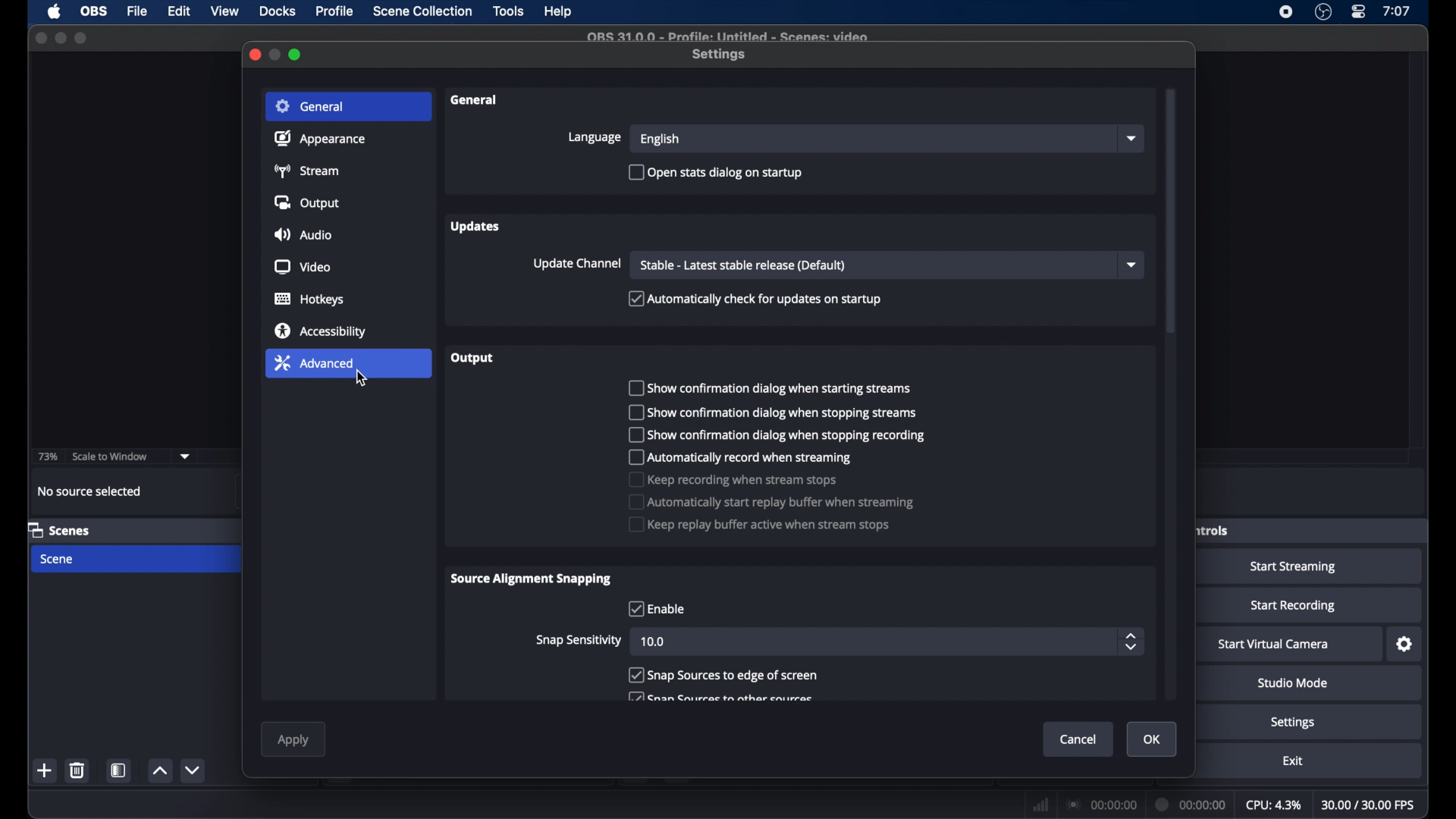  I want to click on checkbox, so click(759, 525).